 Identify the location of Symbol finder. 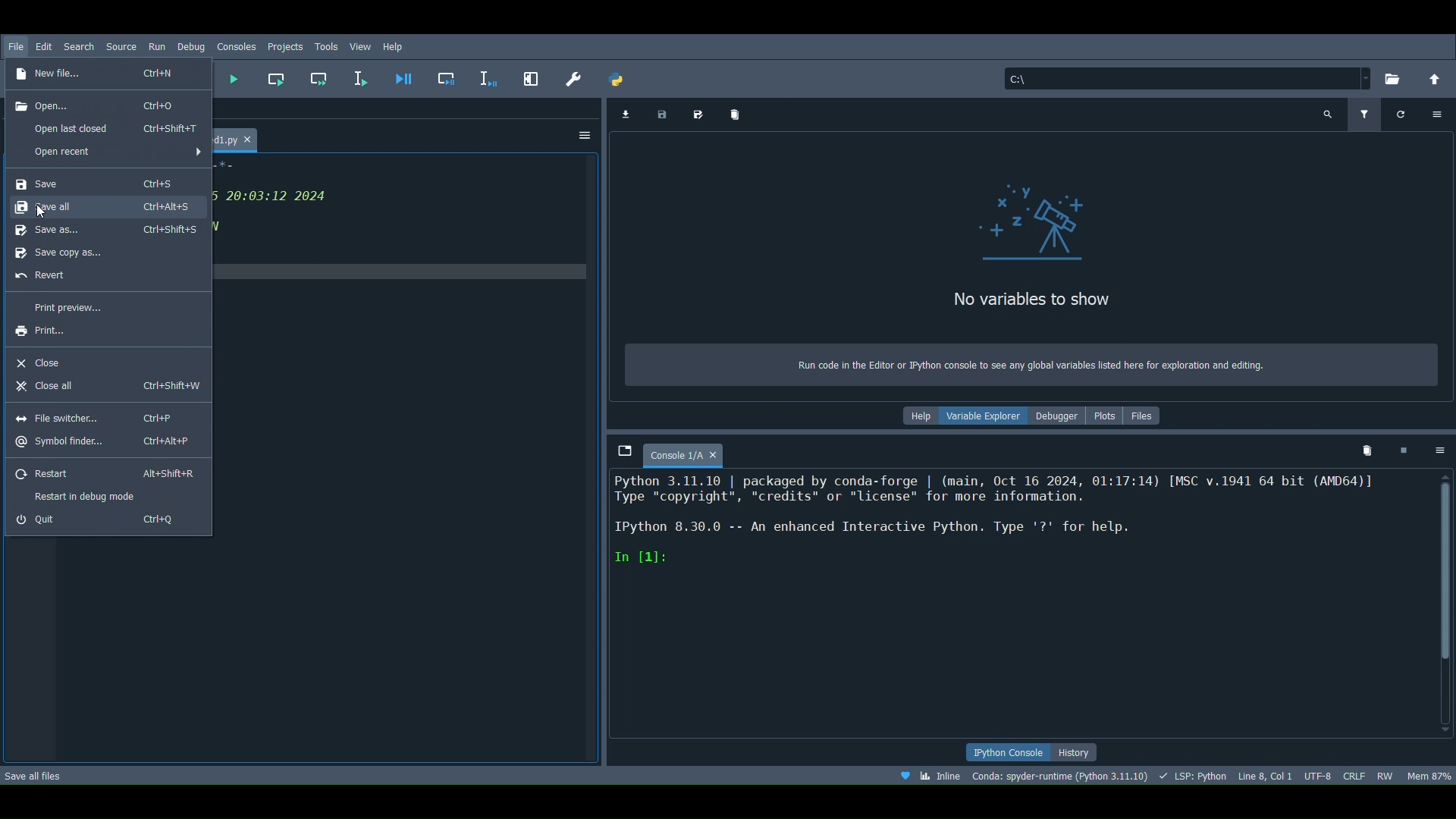
(102, 441).